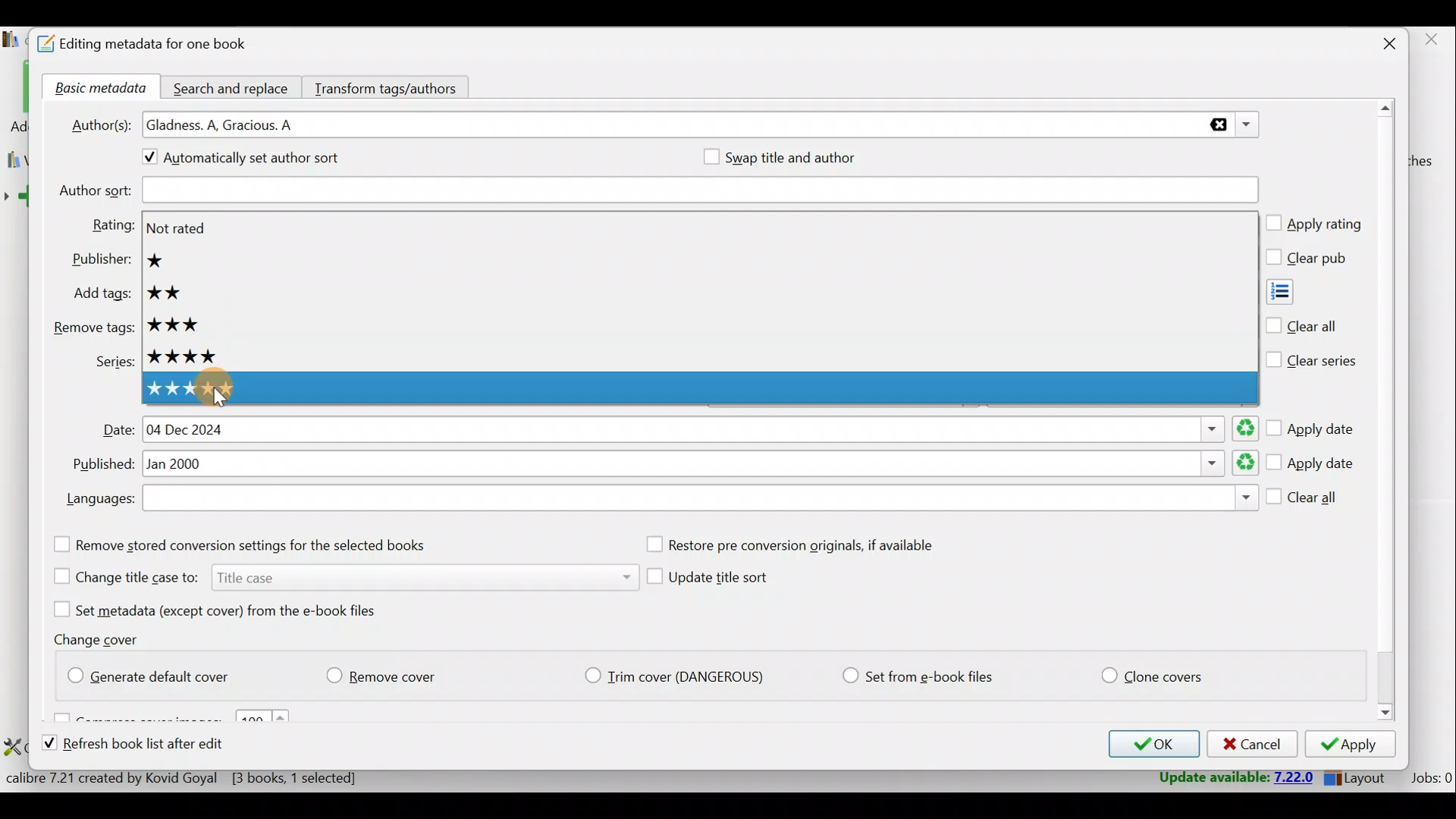  Describe the element at coordinates (1250, 745) in the screenshot. I see `Cancel` at that location.